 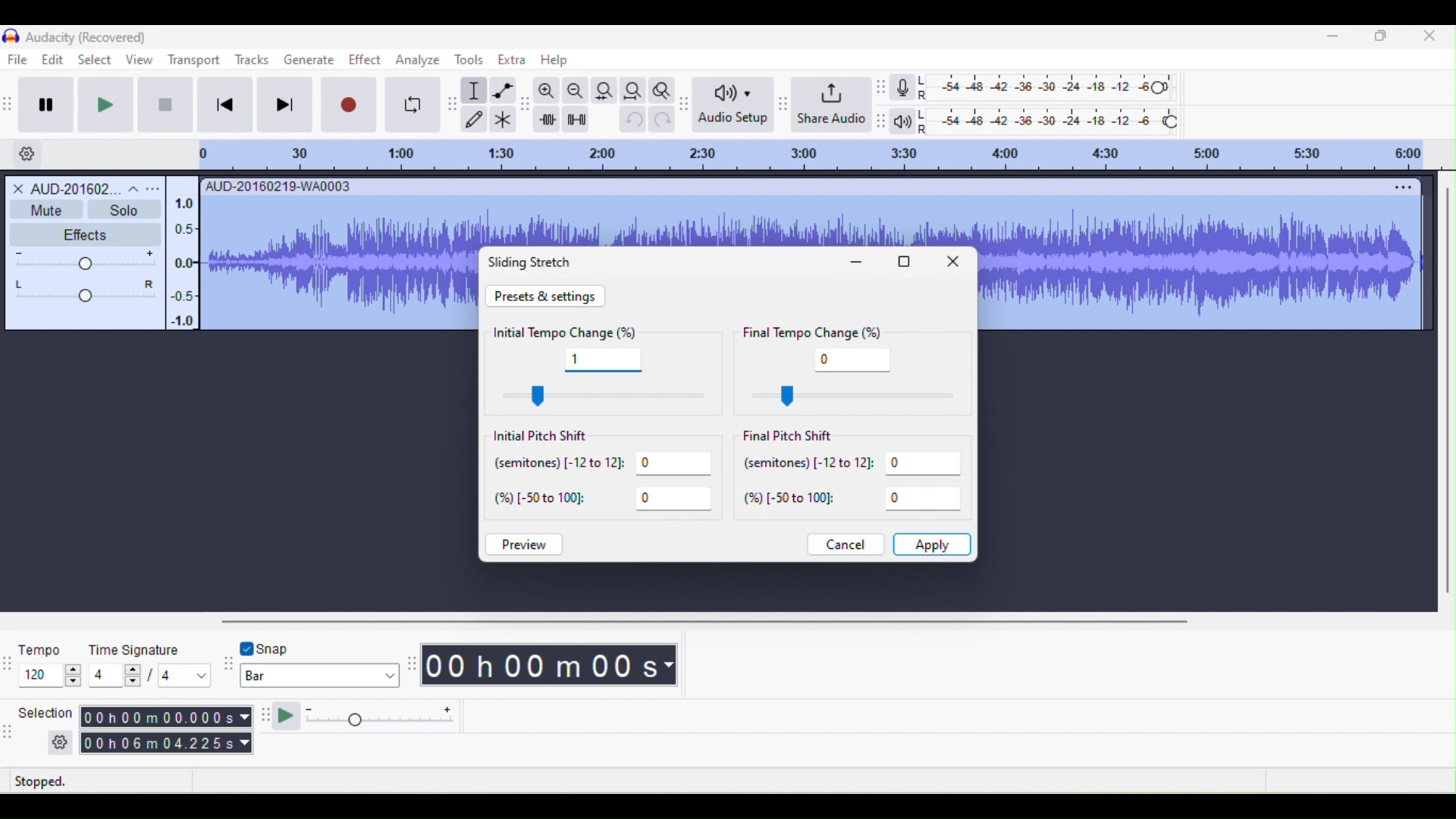 I want to click on audacity transport toolbar, so click(x=9, y=103).